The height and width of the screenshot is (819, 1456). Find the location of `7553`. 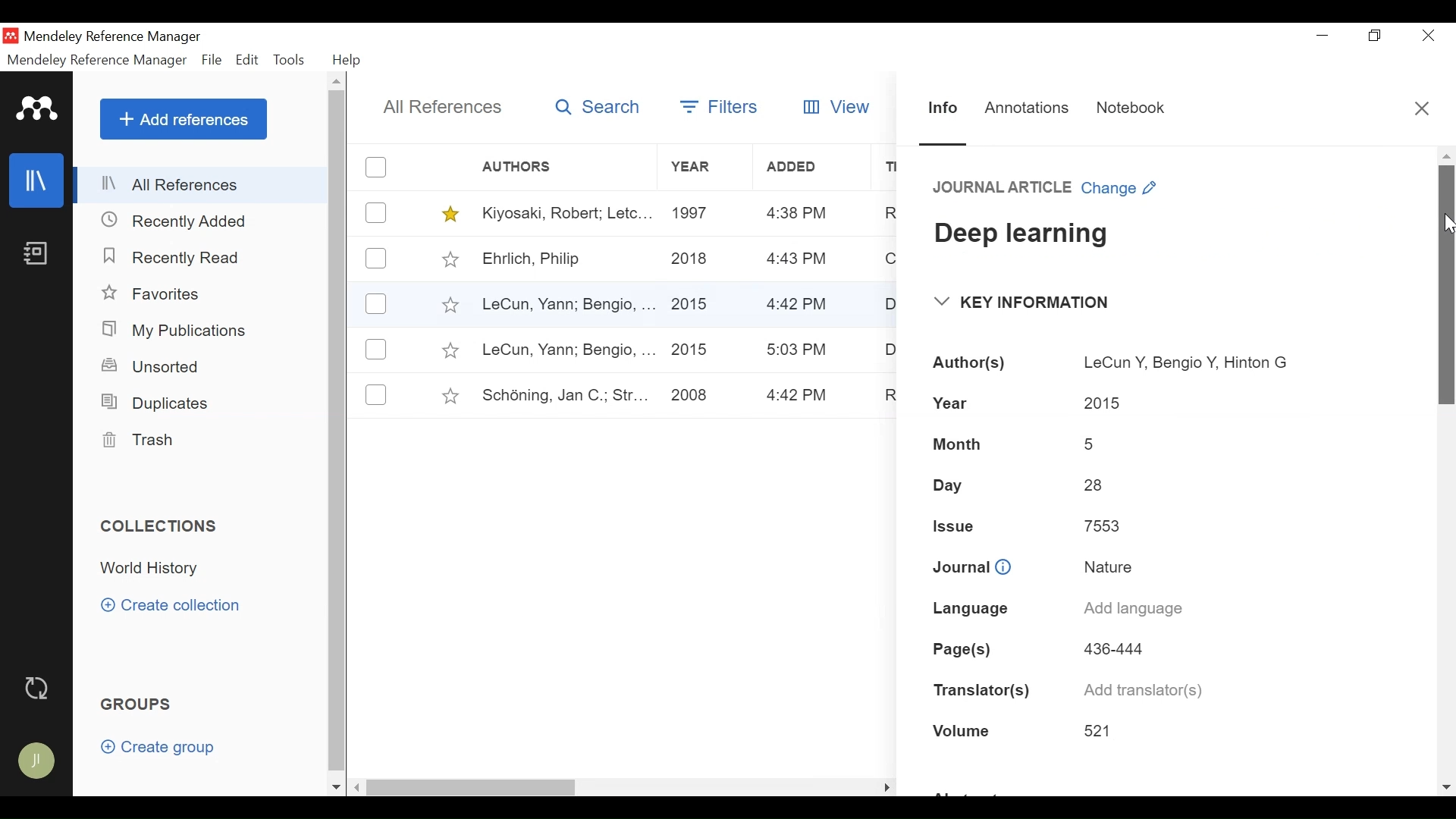

7553 is located at coordinates (1098, 526).